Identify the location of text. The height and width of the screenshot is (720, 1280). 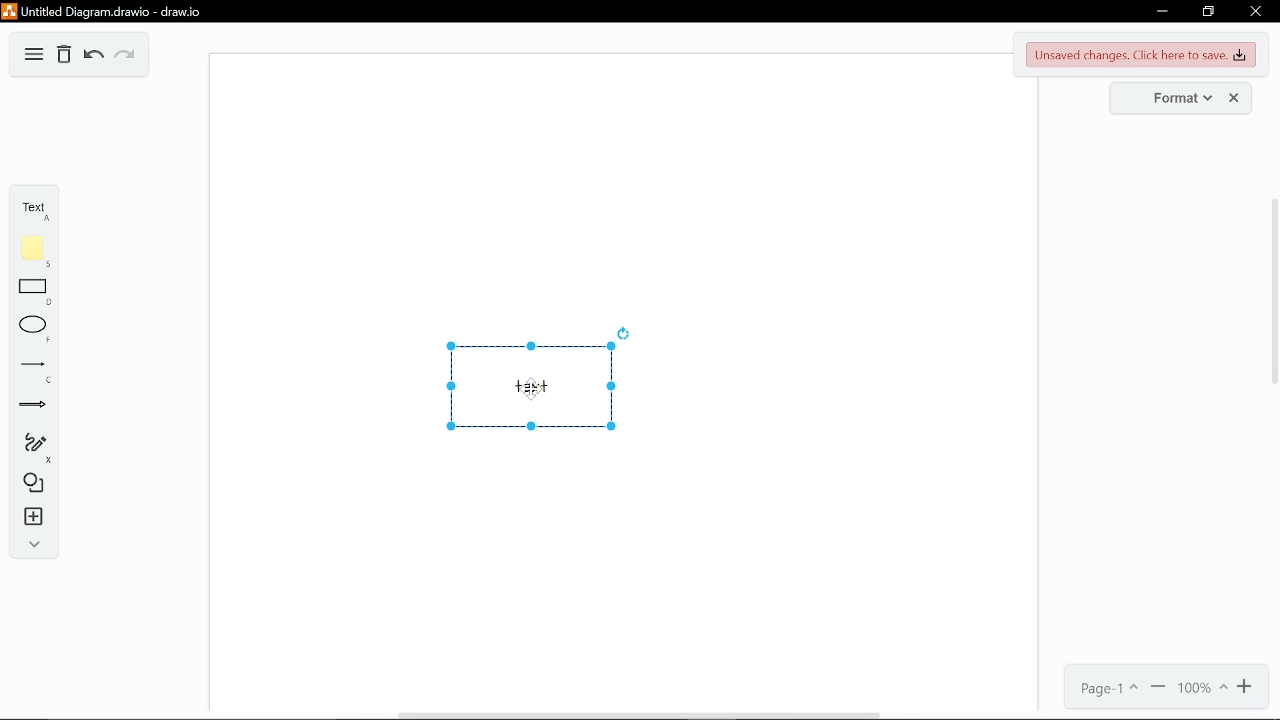
(32, 207).